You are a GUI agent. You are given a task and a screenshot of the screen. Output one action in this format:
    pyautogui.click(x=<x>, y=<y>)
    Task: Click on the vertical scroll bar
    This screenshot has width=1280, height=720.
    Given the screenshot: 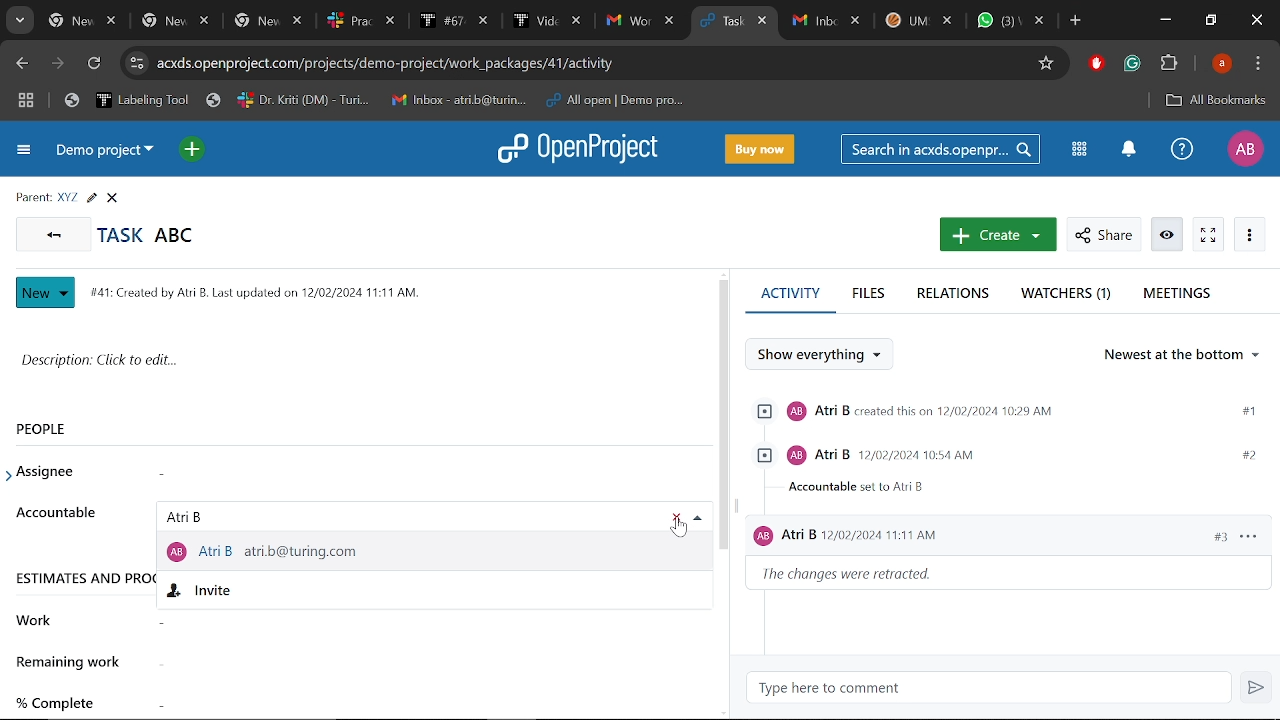 What is the action you would take?
    pyautogui.click(x=723, y=415)
    